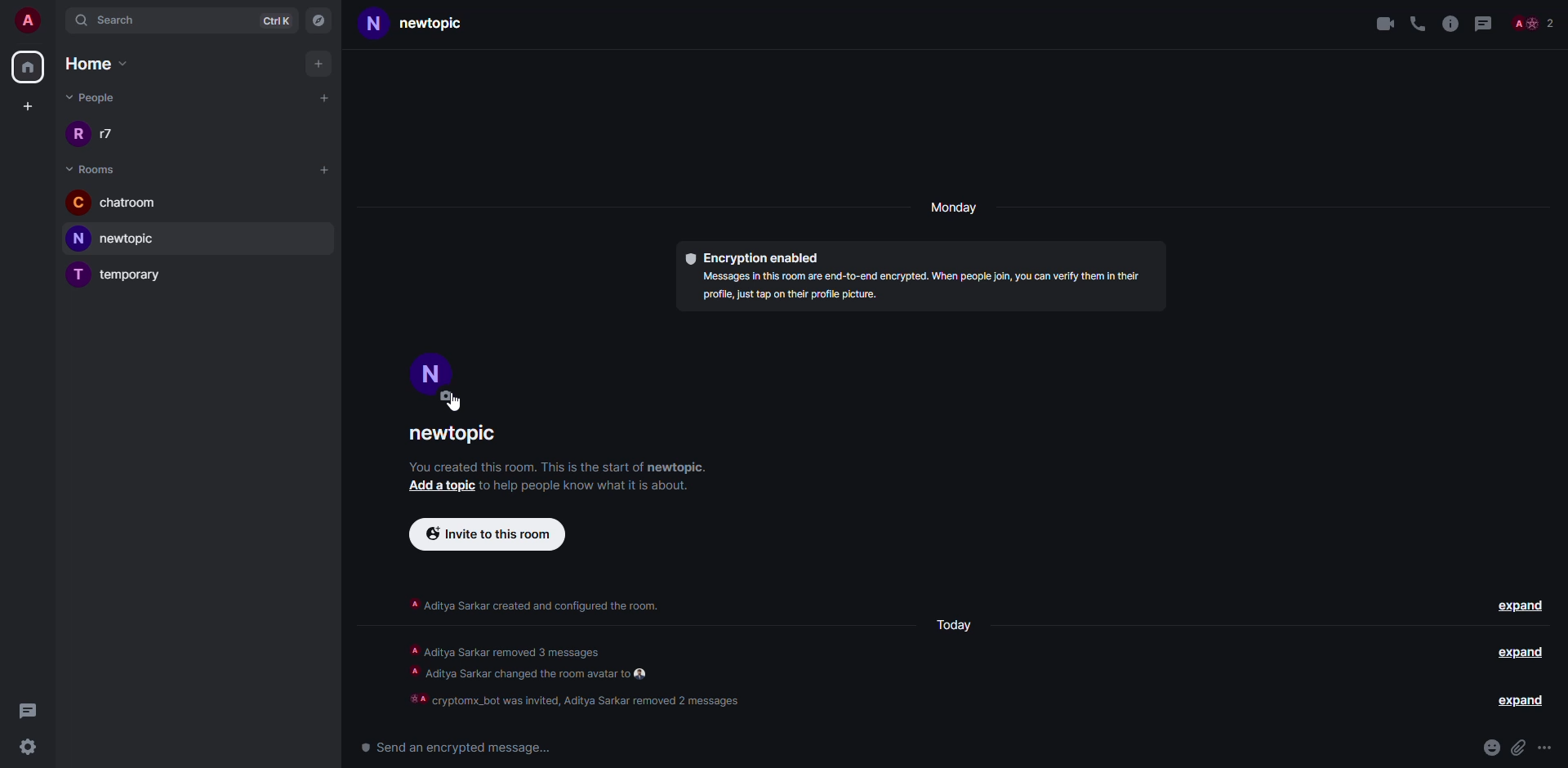  I want to click on attach, so click(1519, 747).